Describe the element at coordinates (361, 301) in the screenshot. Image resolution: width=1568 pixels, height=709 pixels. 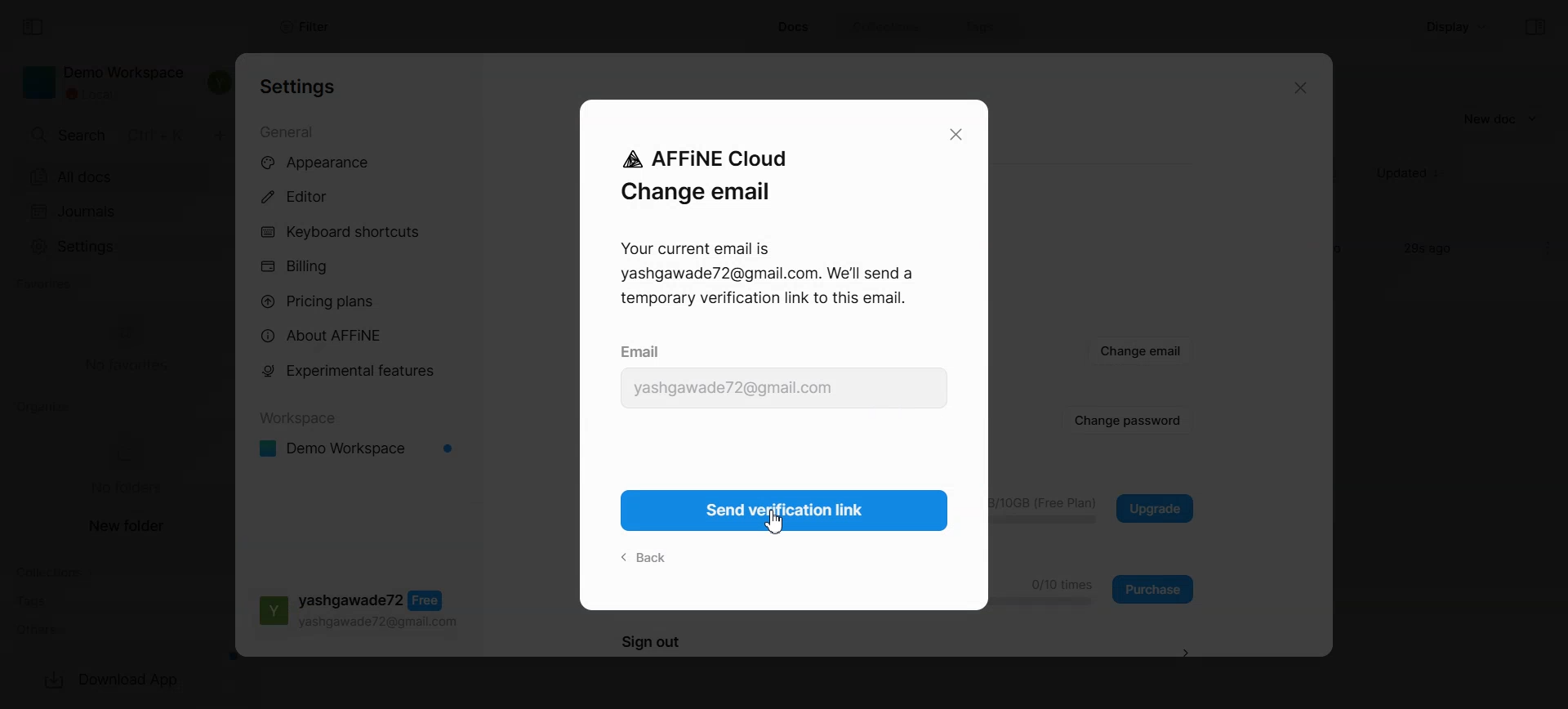
I see `Pricing plans` at that location.